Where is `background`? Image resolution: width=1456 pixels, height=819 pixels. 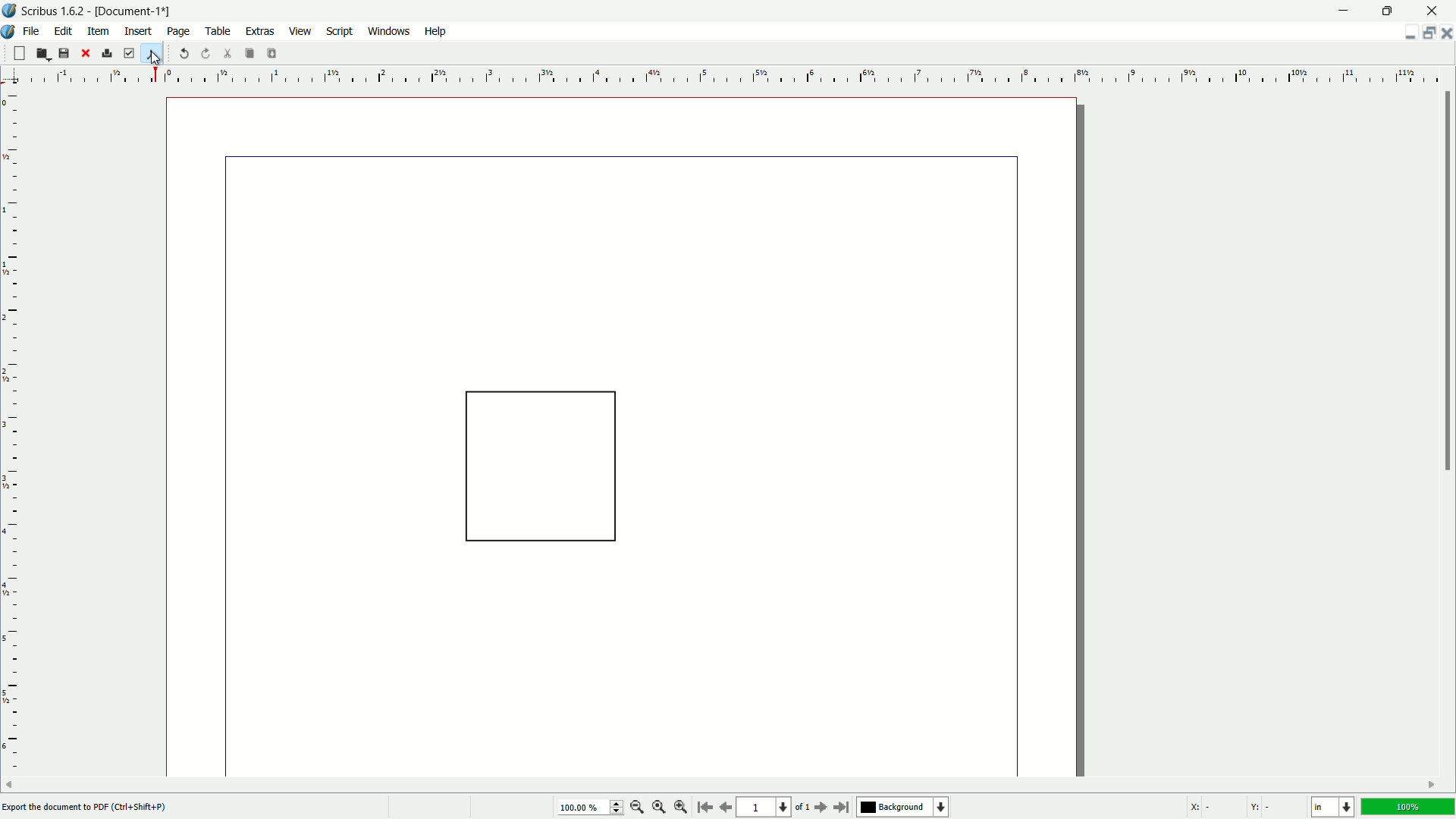 background is located at coordinates (903, 806).